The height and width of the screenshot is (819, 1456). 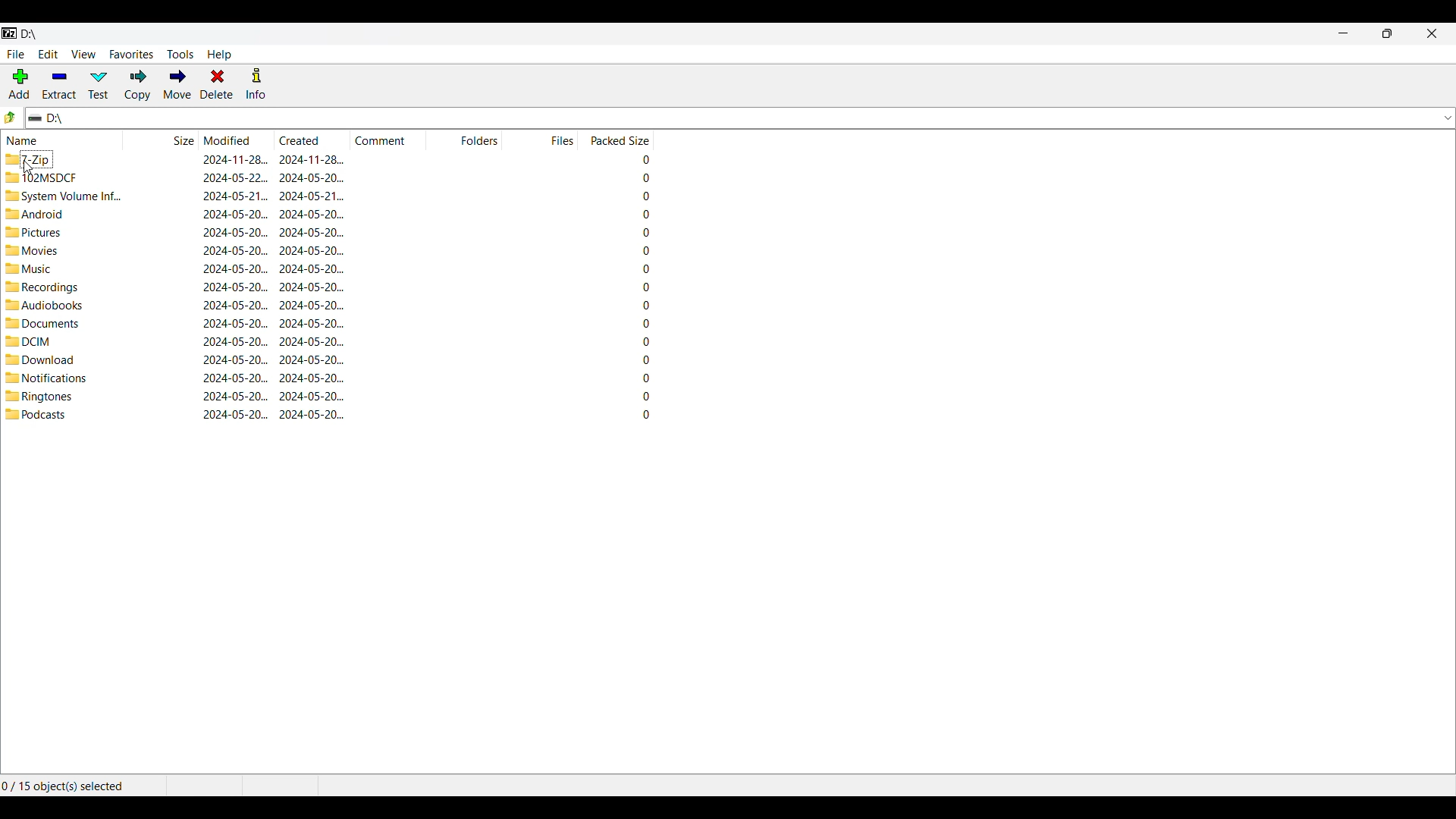 I want to click on created date & time, so click(x=311, y=378).